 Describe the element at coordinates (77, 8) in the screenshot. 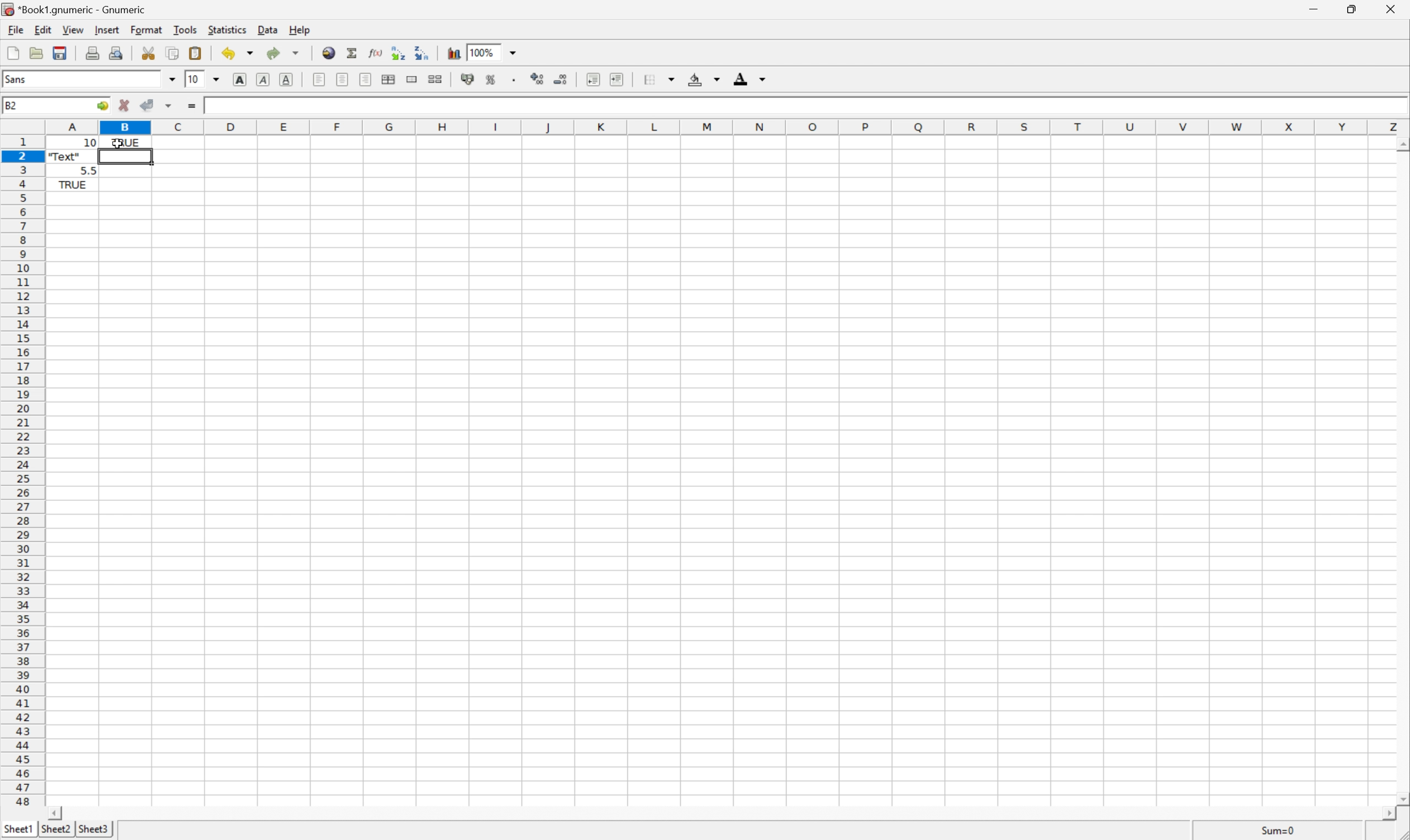

I see `*Book1.gnumeric - Gnumeric` at that location.